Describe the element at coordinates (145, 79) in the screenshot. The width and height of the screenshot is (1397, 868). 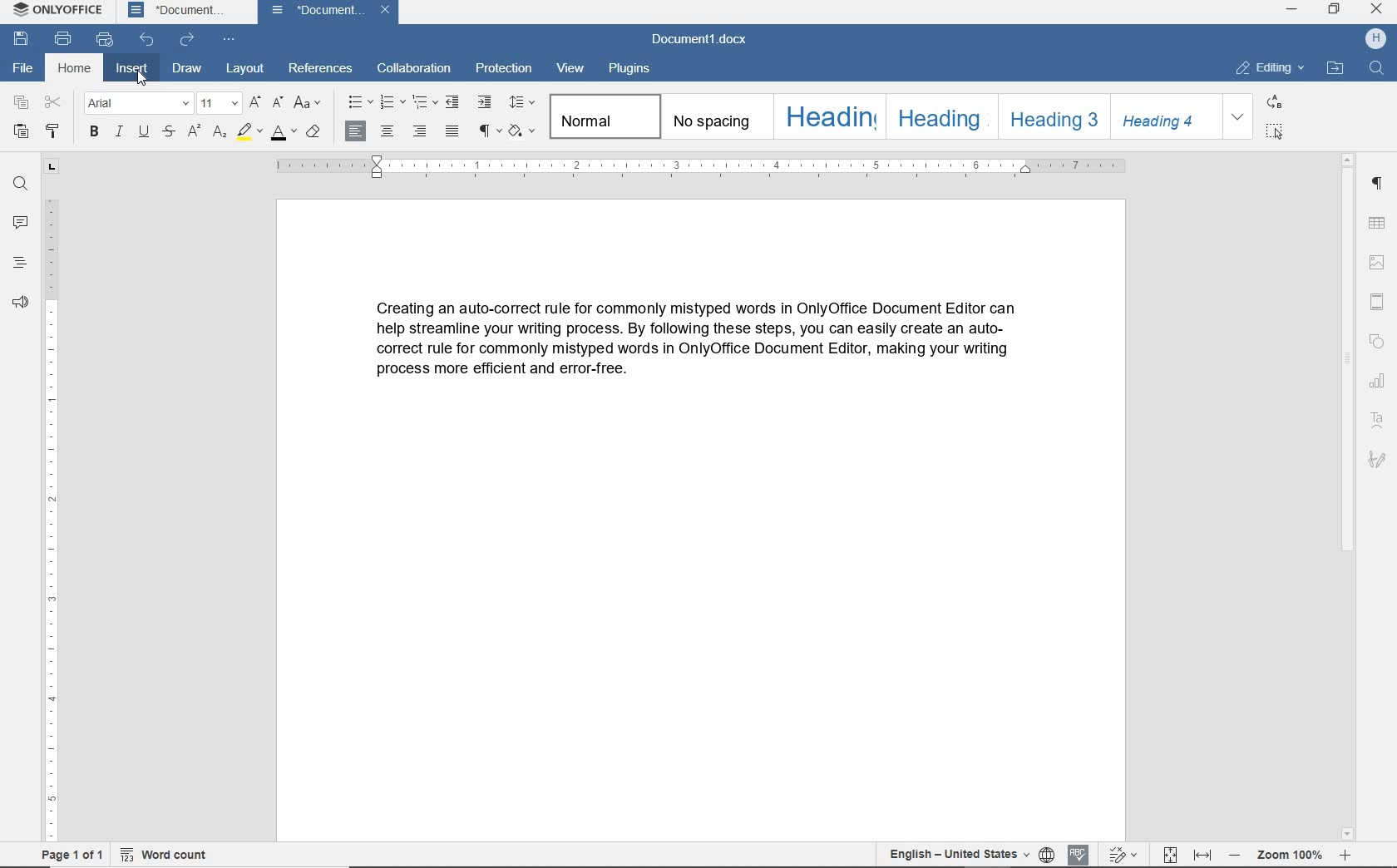
I see `Cursor` at that location.